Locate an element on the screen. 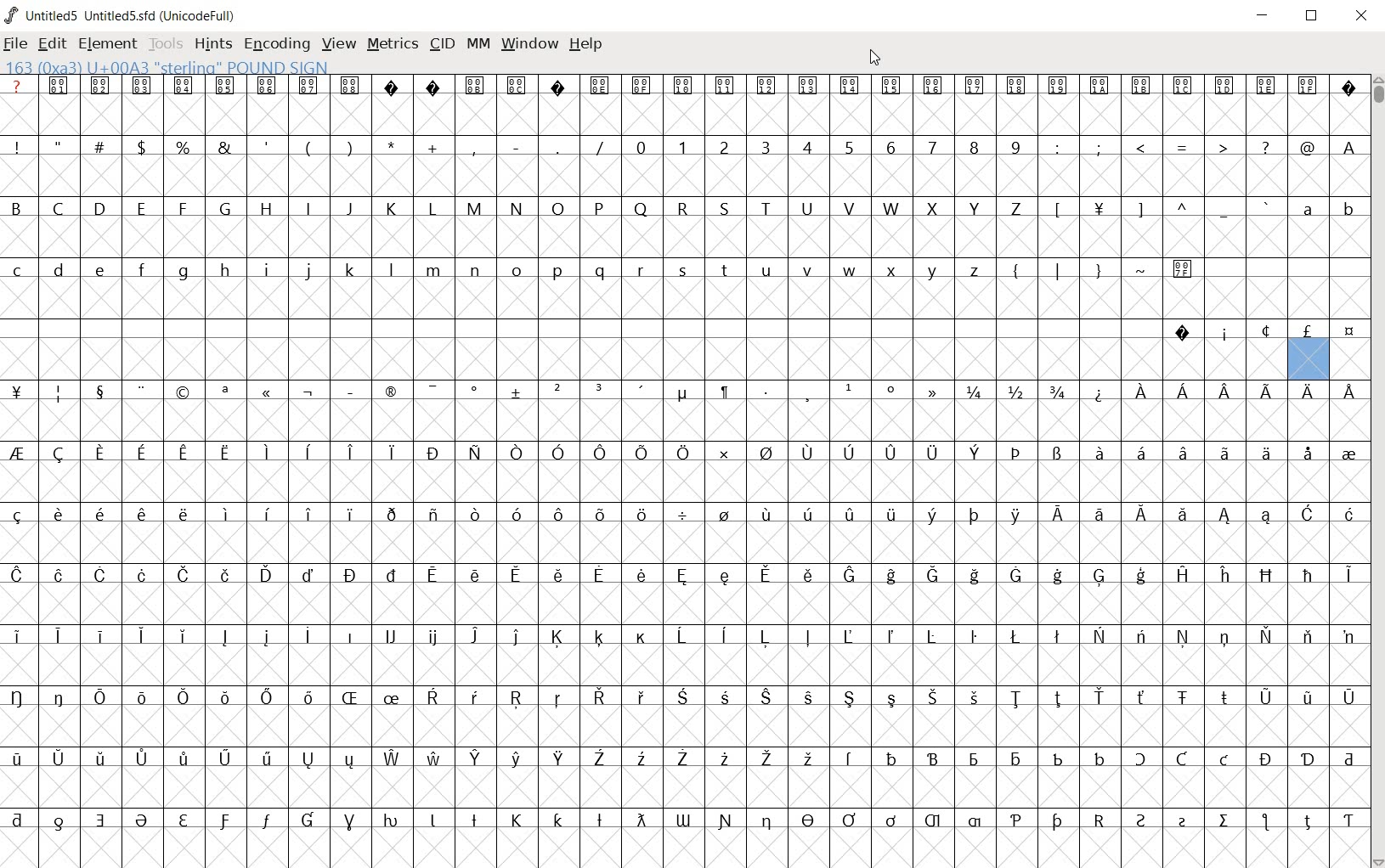  Symbol is located at coordinates (558, 699).